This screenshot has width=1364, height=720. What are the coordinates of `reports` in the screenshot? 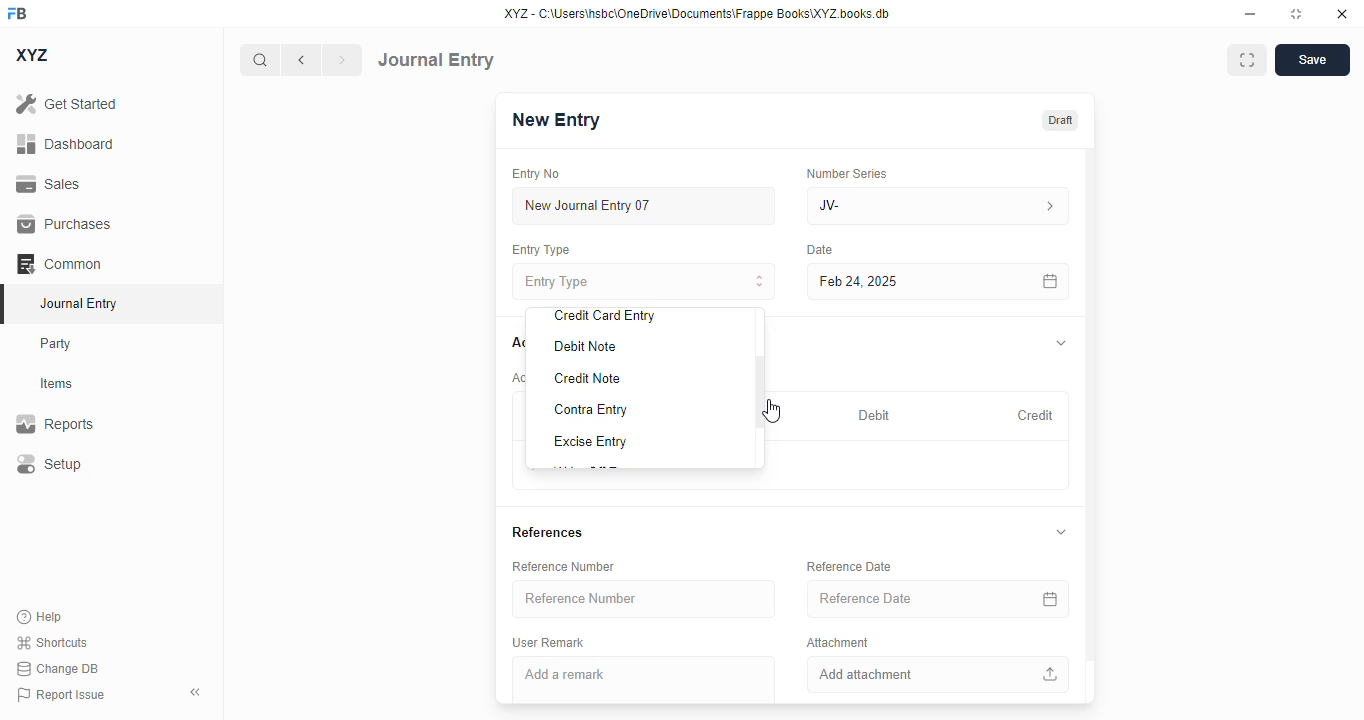 It's located at (55, 423).